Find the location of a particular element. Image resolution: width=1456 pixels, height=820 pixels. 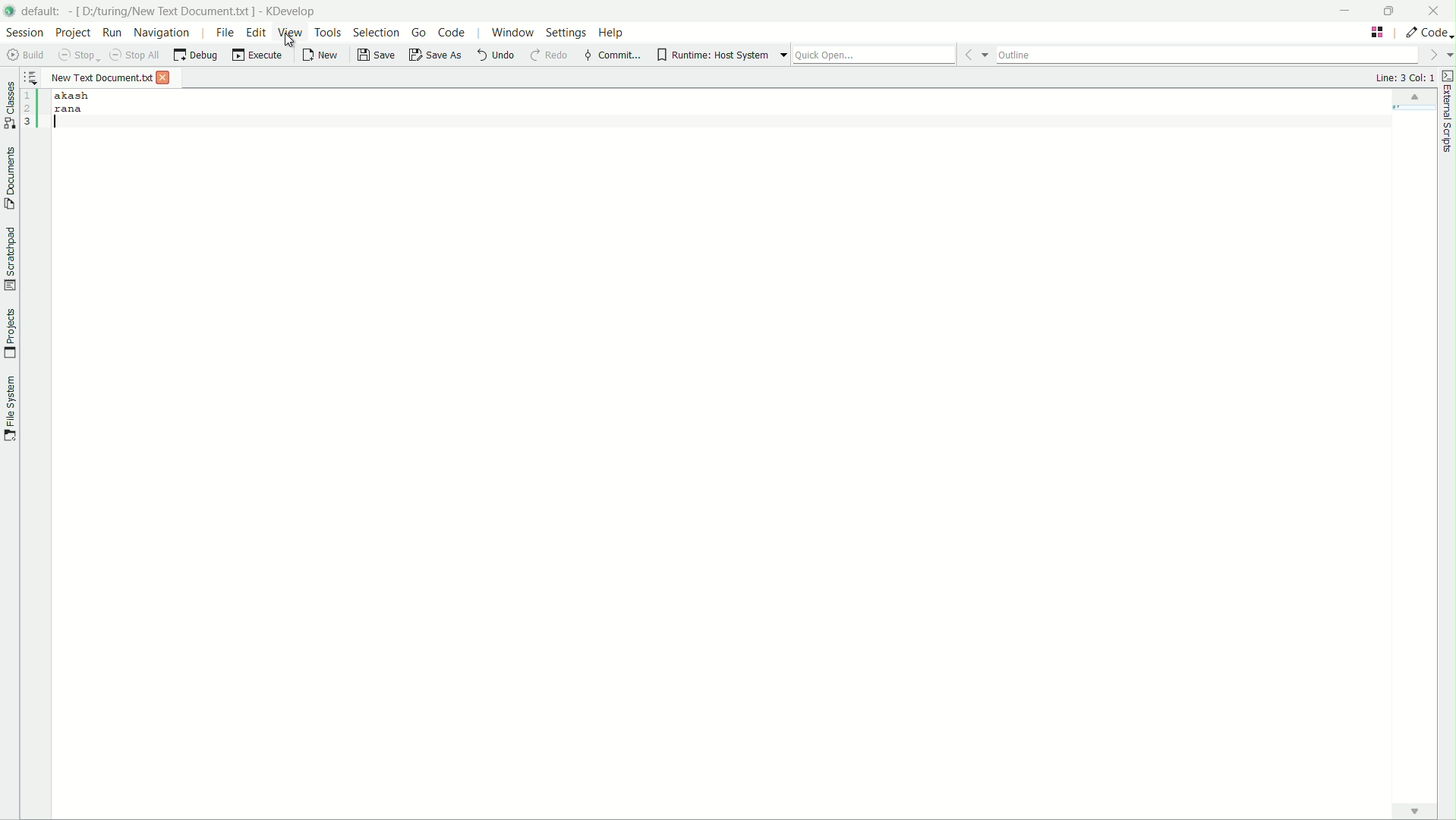

save is located at coordinates (375, 55).